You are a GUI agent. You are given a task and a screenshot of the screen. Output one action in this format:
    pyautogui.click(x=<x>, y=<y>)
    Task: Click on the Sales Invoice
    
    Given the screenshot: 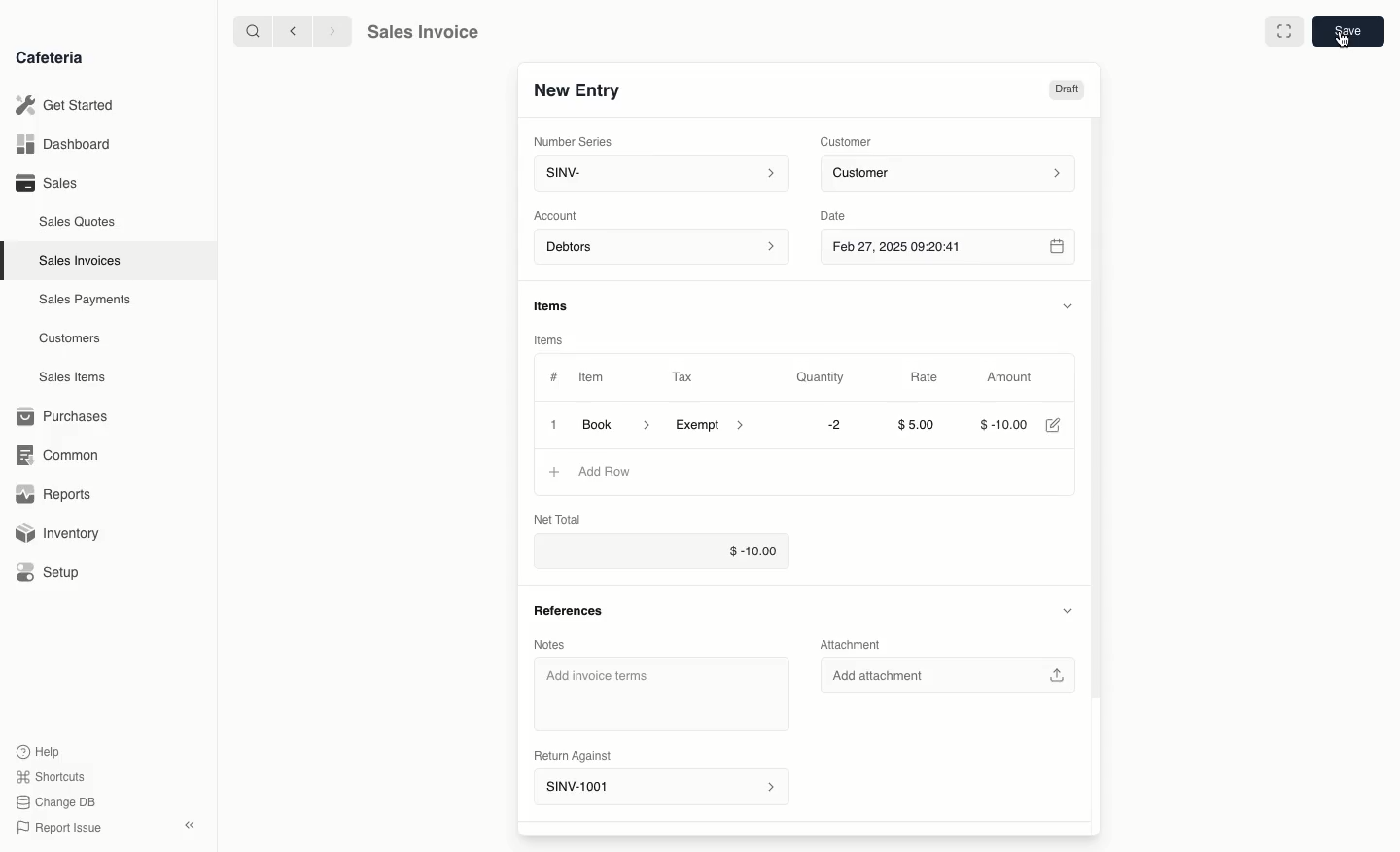 What is the action you would take?
    pyautogui.click(x=423, y=32)
    